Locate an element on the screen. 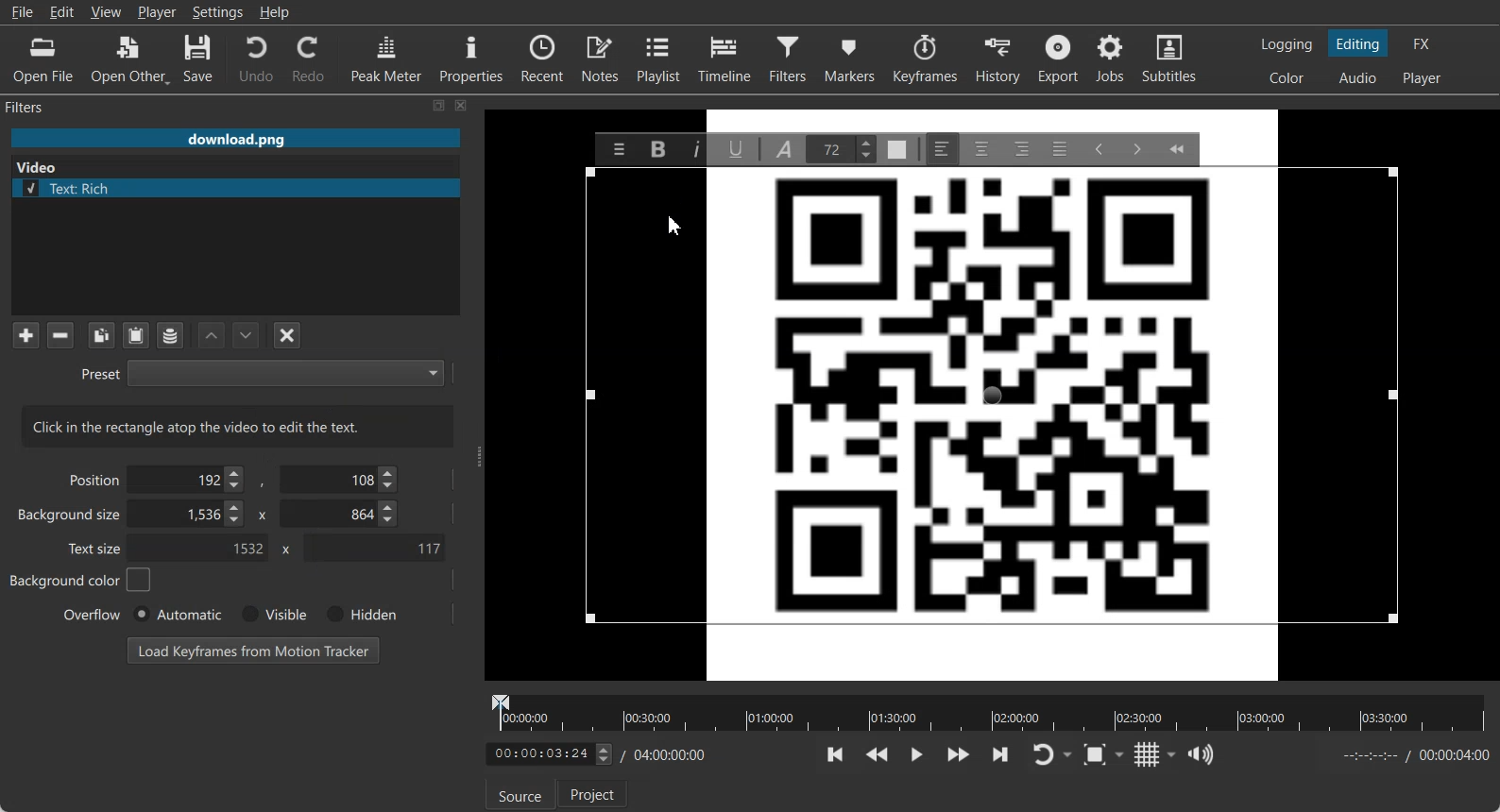 This screenshot has height=812, width=1500. Save a filter set is located at coordinates (169, 336).